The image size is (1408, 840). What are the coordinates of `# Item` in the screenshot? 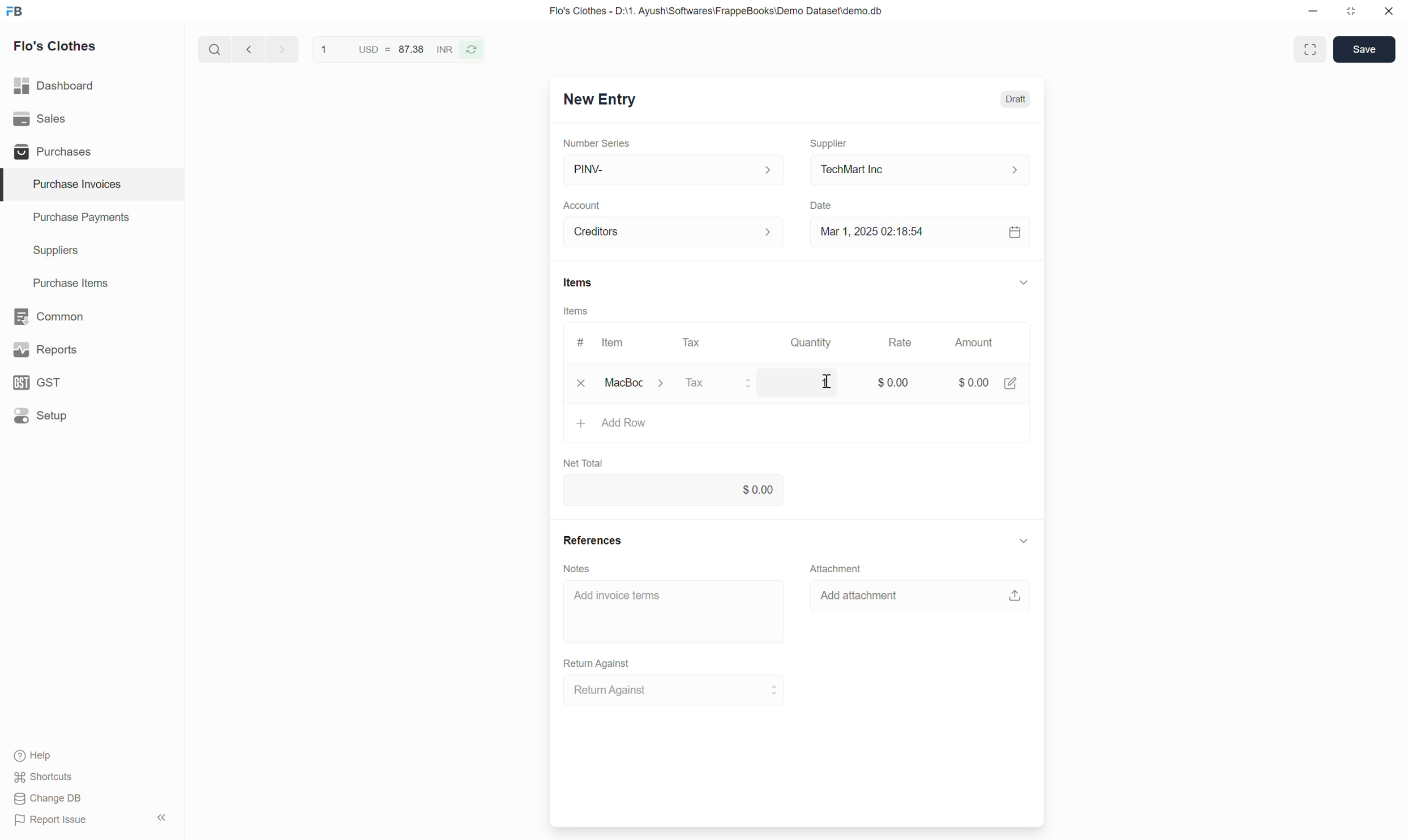 It's located at (602, 342).